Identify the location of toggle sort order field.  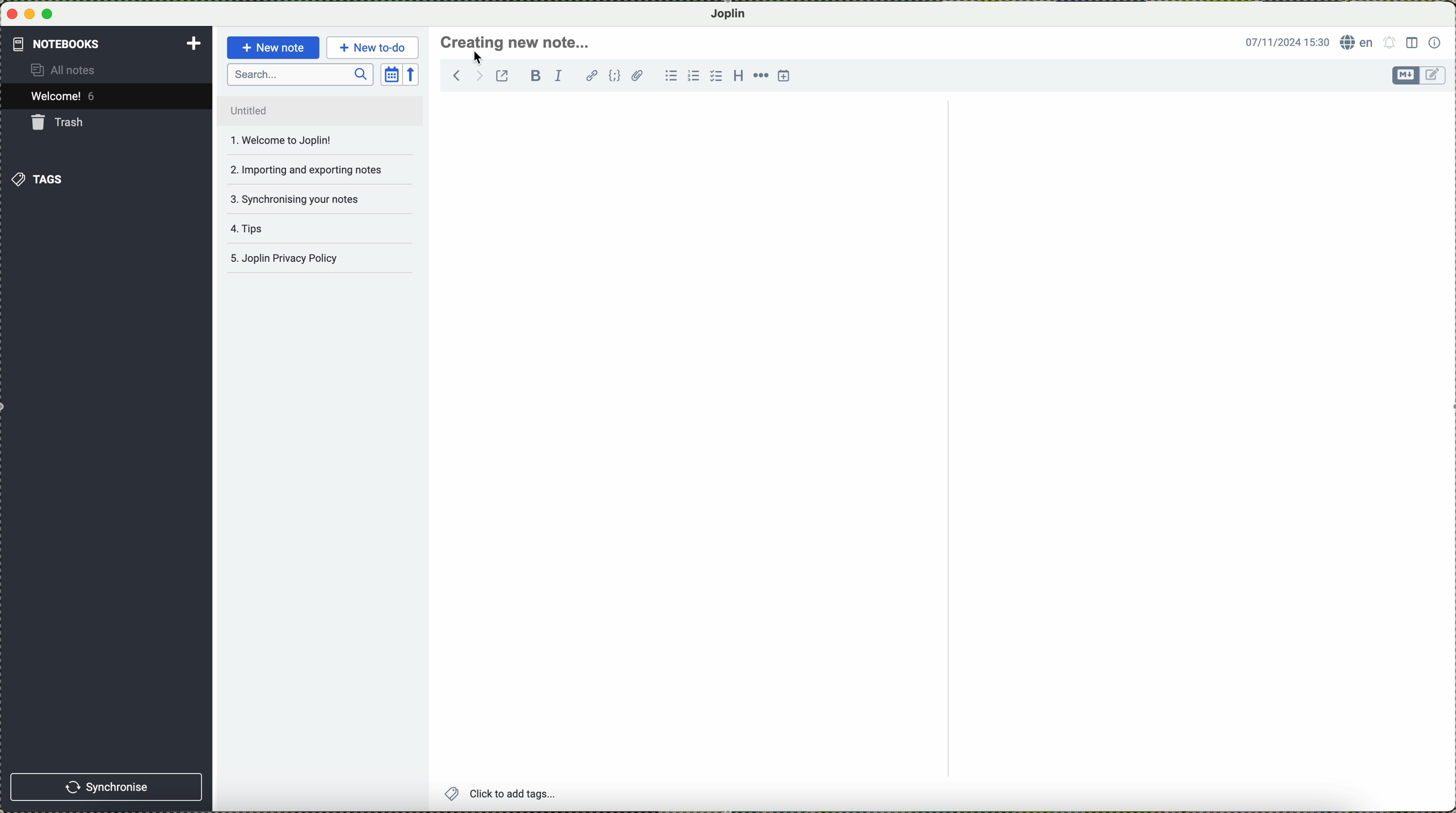
(391, 73).